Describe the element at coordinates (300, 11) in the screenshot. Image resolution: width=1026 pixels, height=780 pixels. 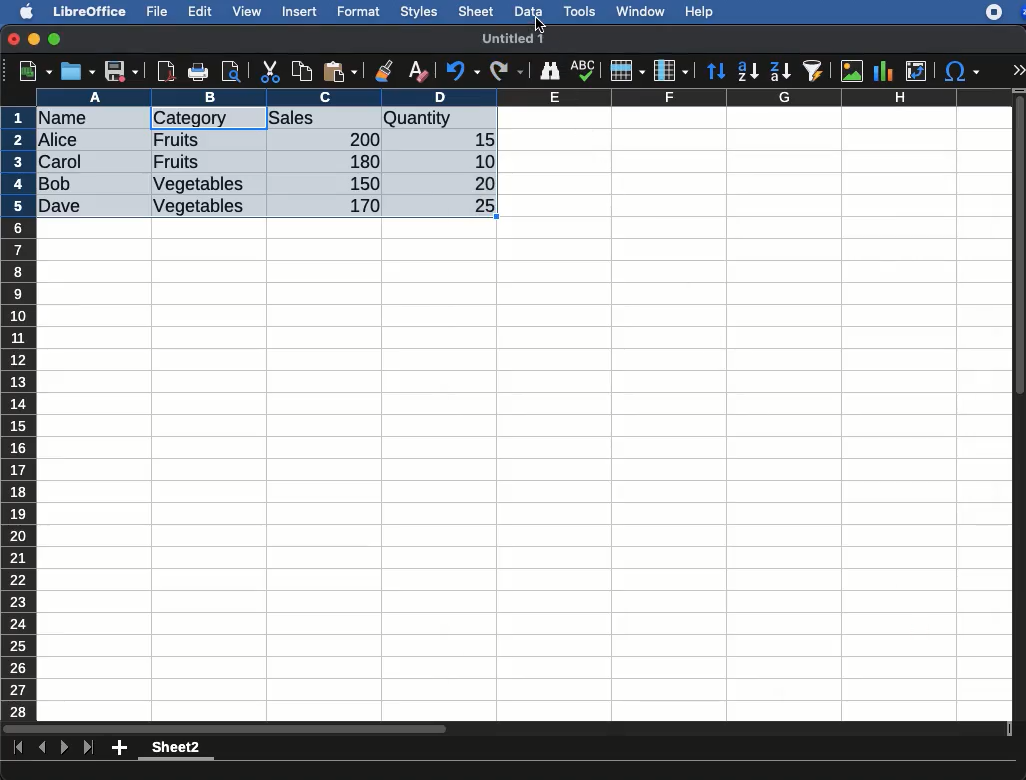
I see `insert` at that location.